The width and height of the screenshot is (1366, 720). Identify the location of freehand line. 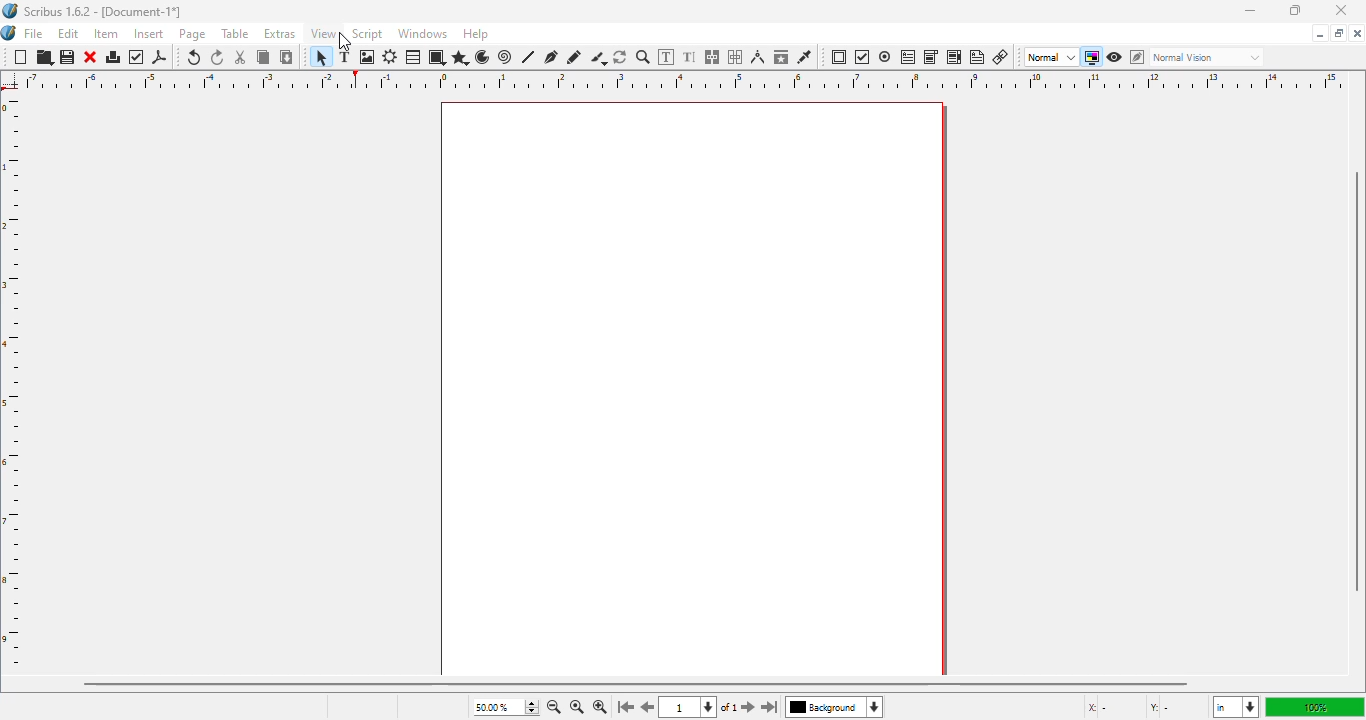
(574, 57).